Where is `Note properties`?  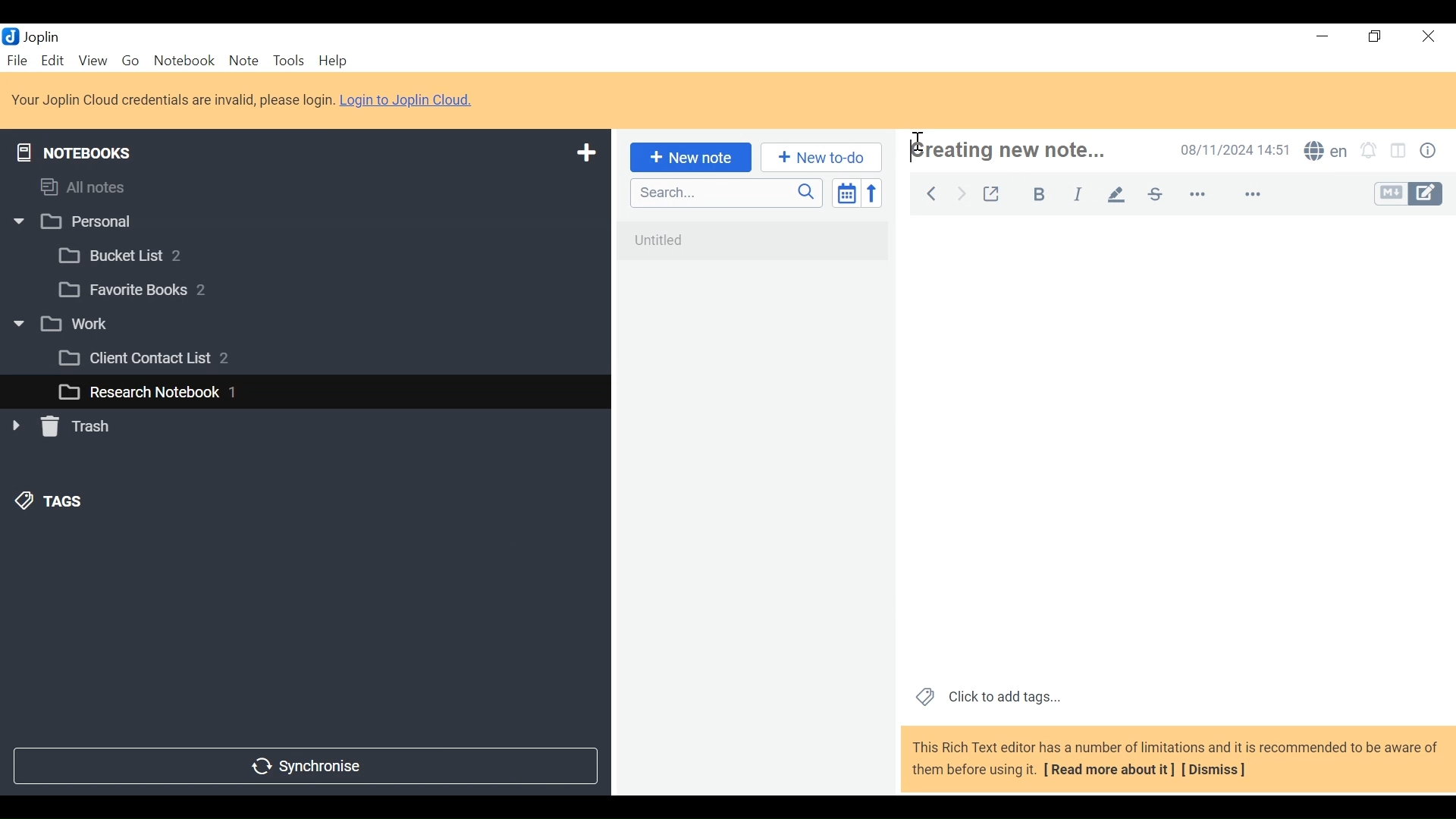
Note properties is located at coordinates (1431, 152).